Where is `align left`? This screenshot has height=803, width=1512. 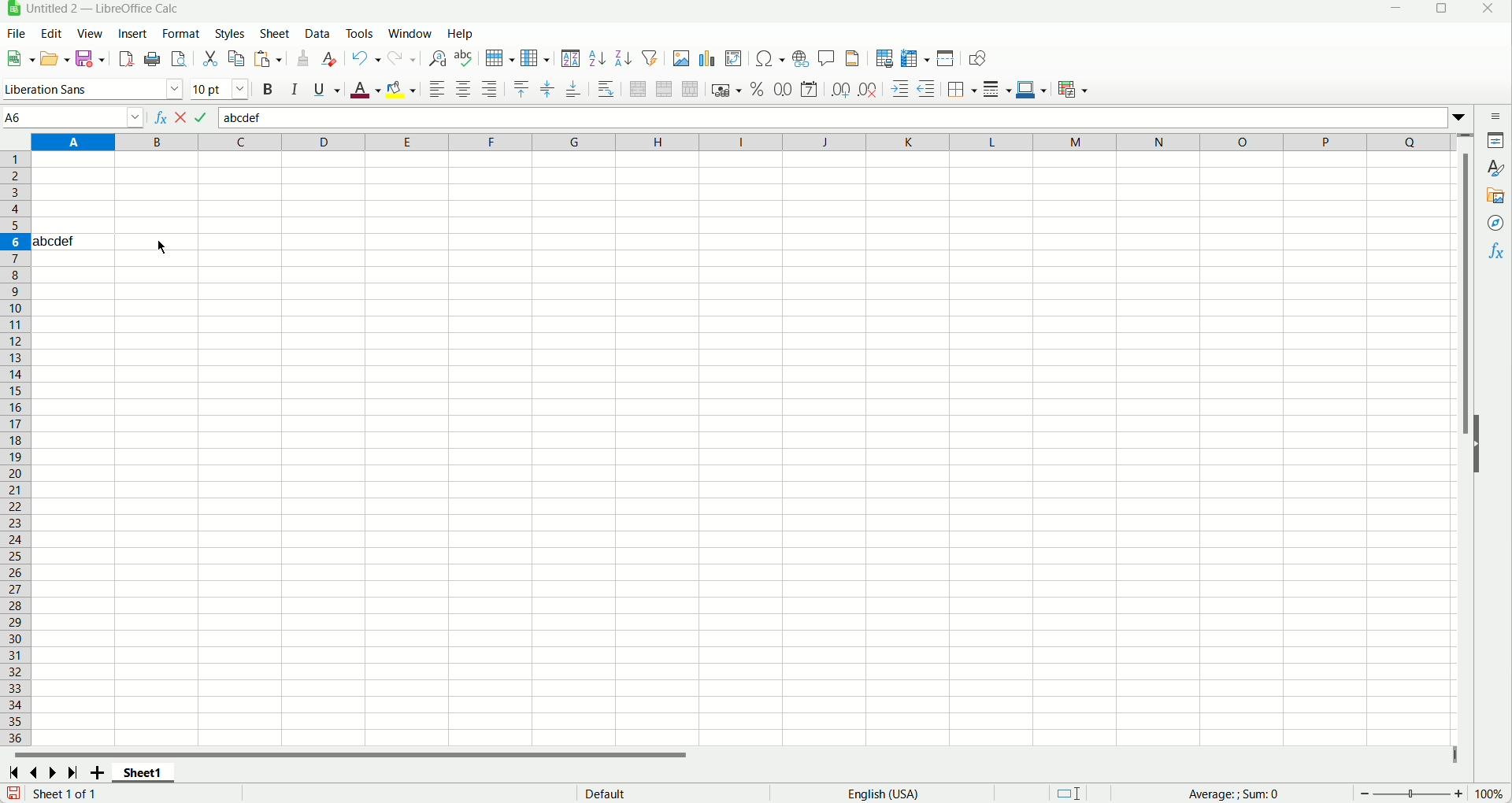
align left is located at coordinates (436, 88).